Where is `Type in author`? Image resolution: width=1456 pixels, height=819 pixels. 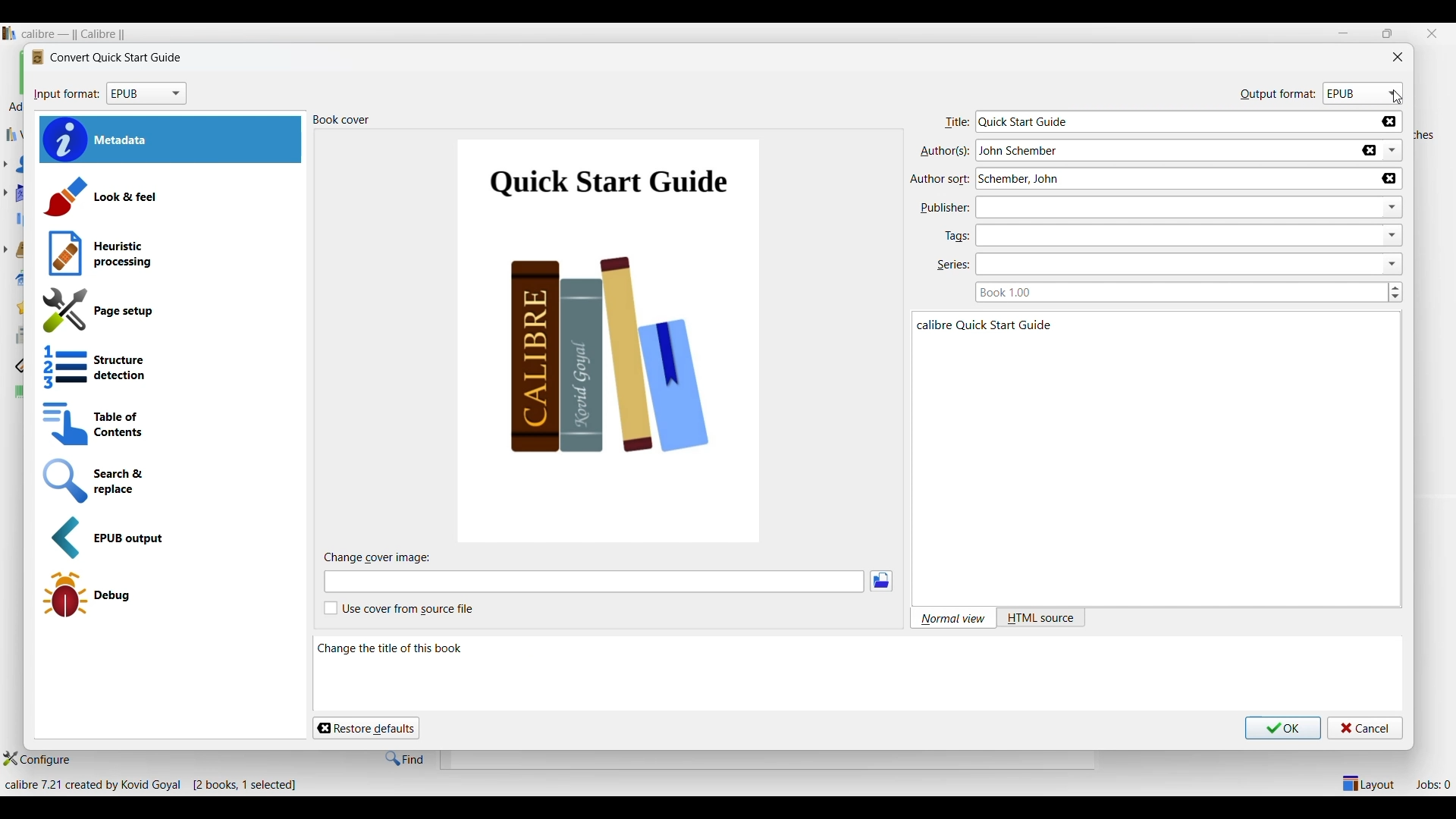 Type in author is located at coordinates (1134, 151).